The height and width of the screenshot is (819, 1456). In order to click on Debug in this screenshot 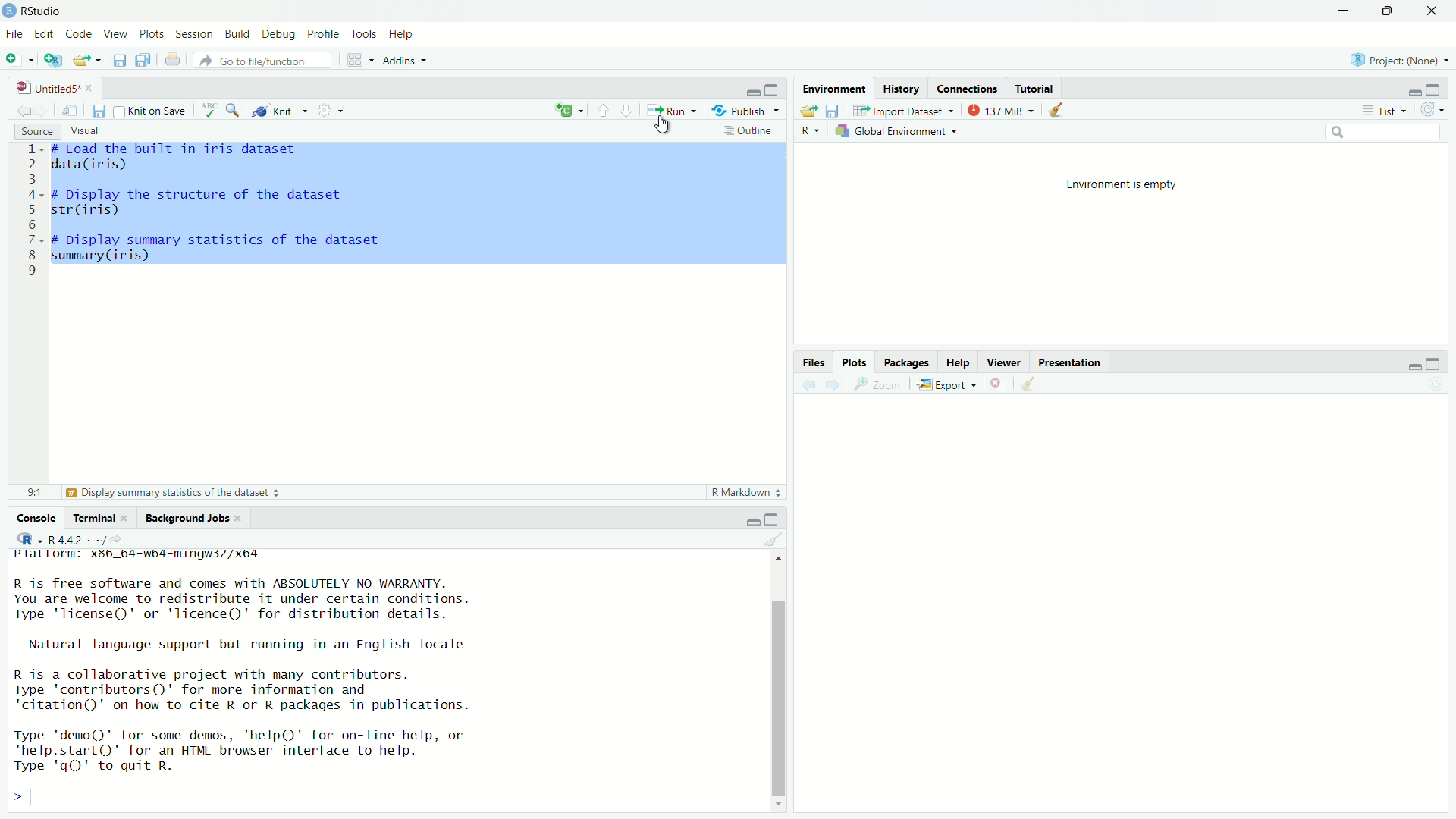, I will do `click(280, 34)`.